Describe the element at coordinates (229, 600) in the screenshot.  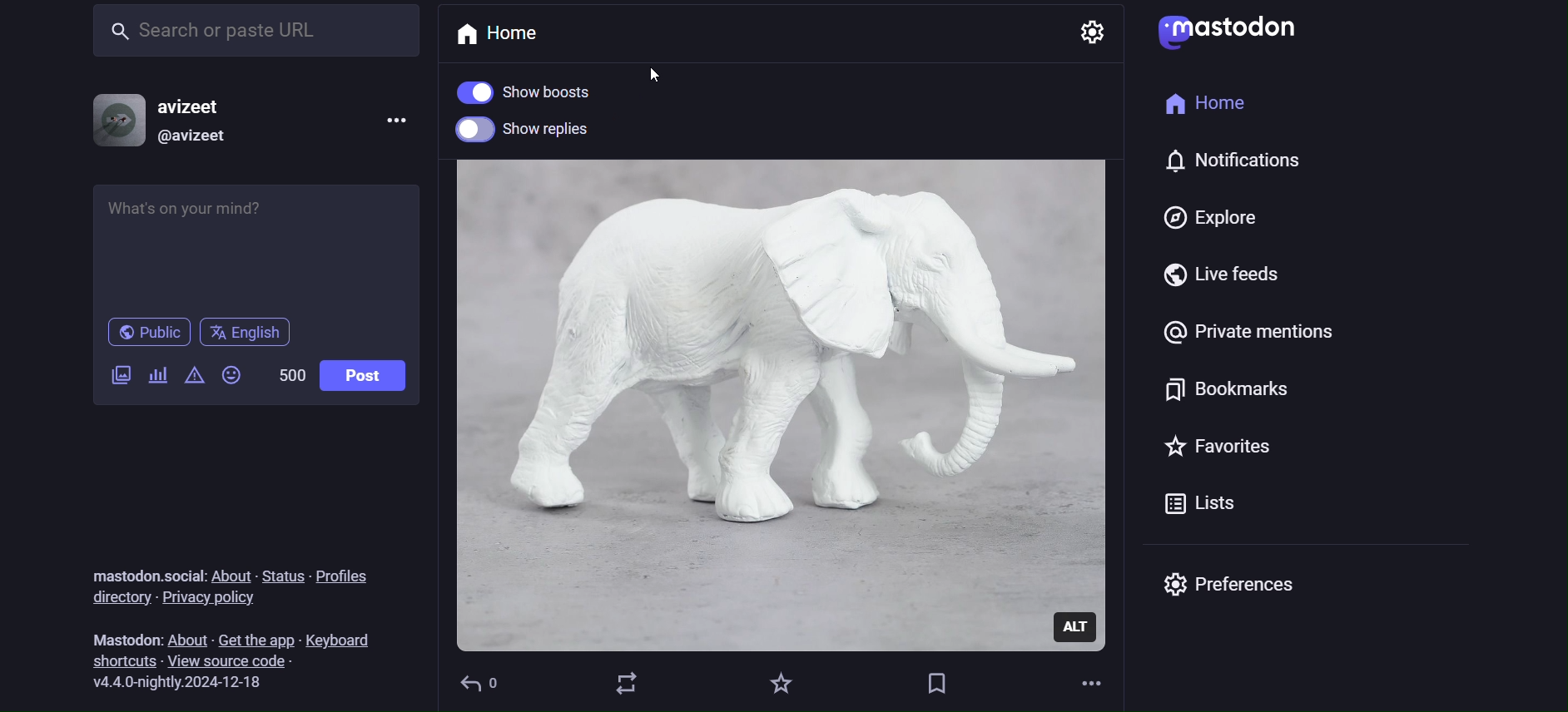
I see `privacy policy` at that location.